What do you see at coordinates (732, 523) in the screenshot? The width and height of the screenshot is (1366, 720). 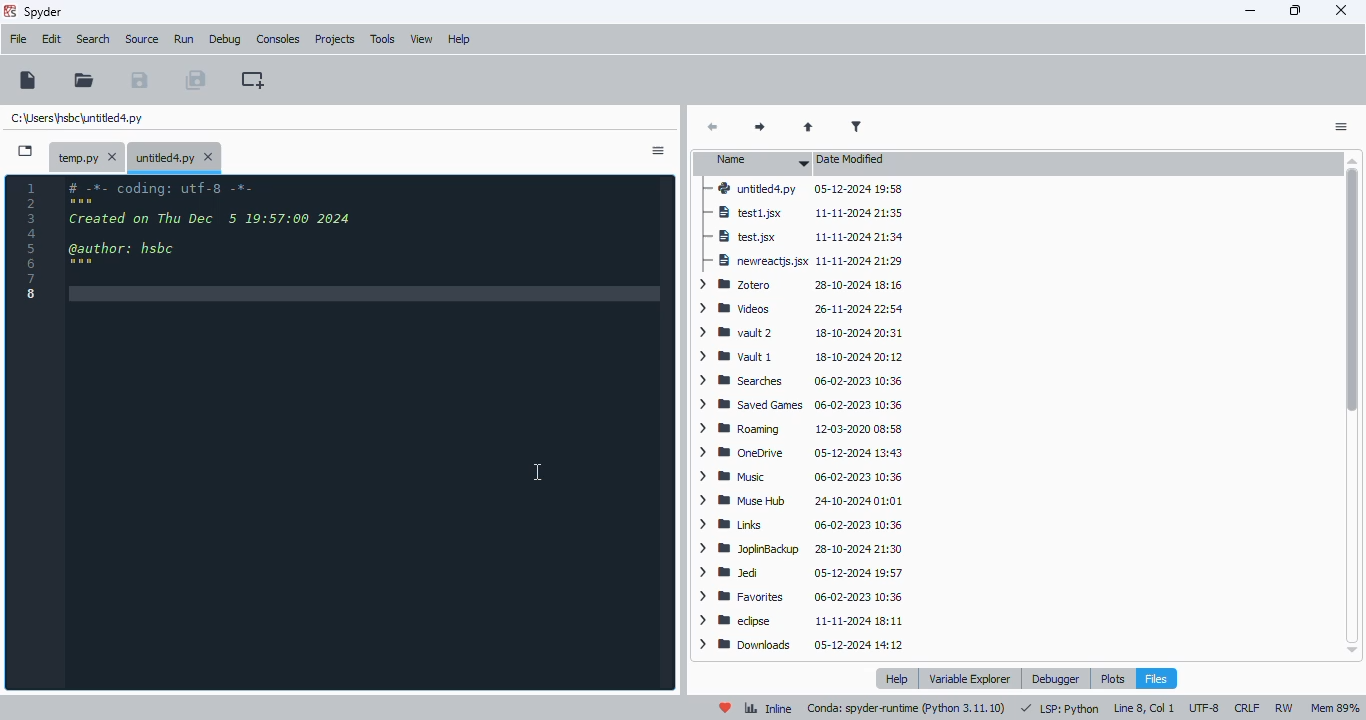 I see `Links` at bounding box center [732, 523].